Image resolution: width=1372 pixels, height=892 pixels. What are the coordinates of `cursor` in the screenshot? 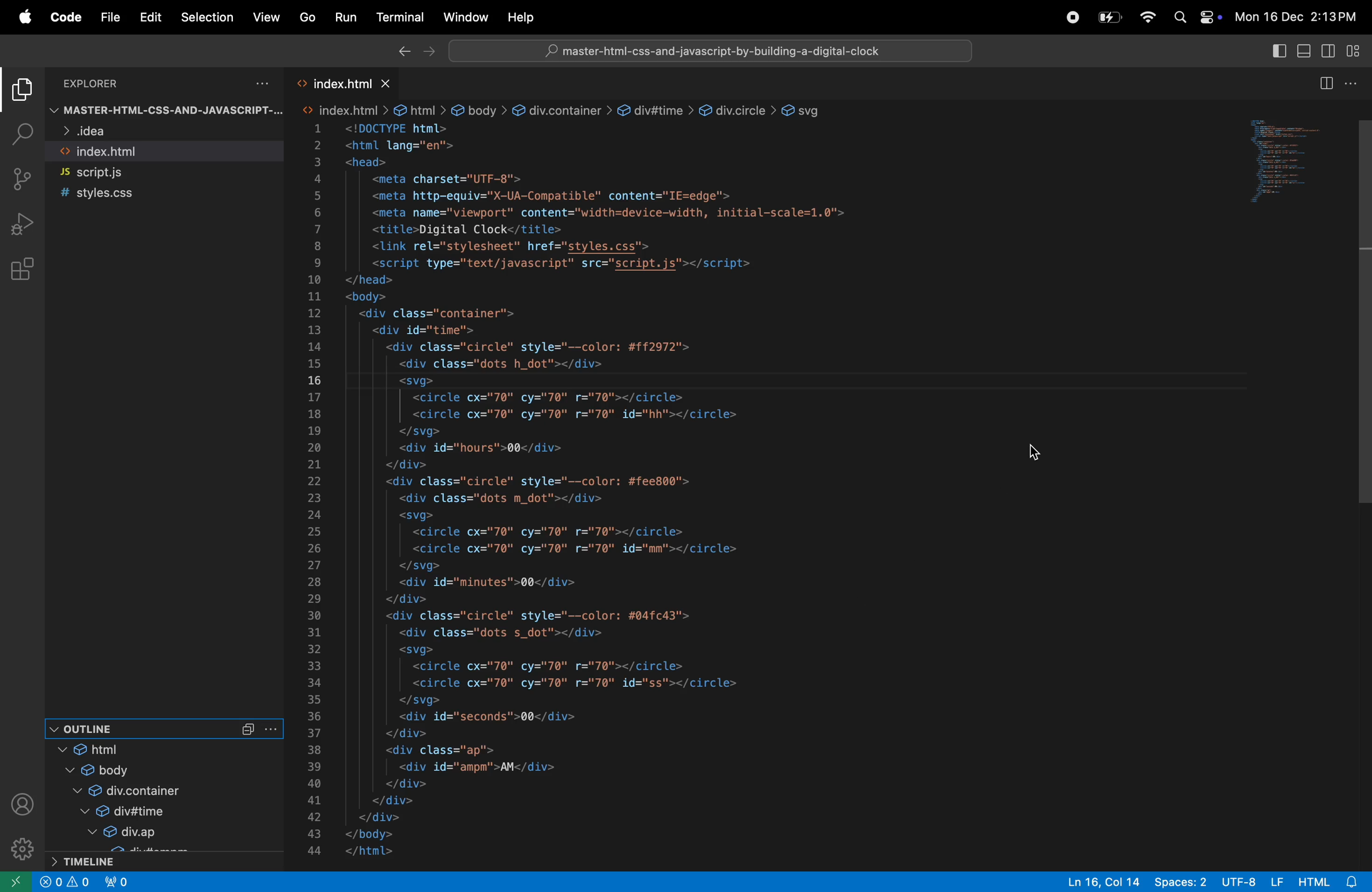 It's located at (1035, 452).